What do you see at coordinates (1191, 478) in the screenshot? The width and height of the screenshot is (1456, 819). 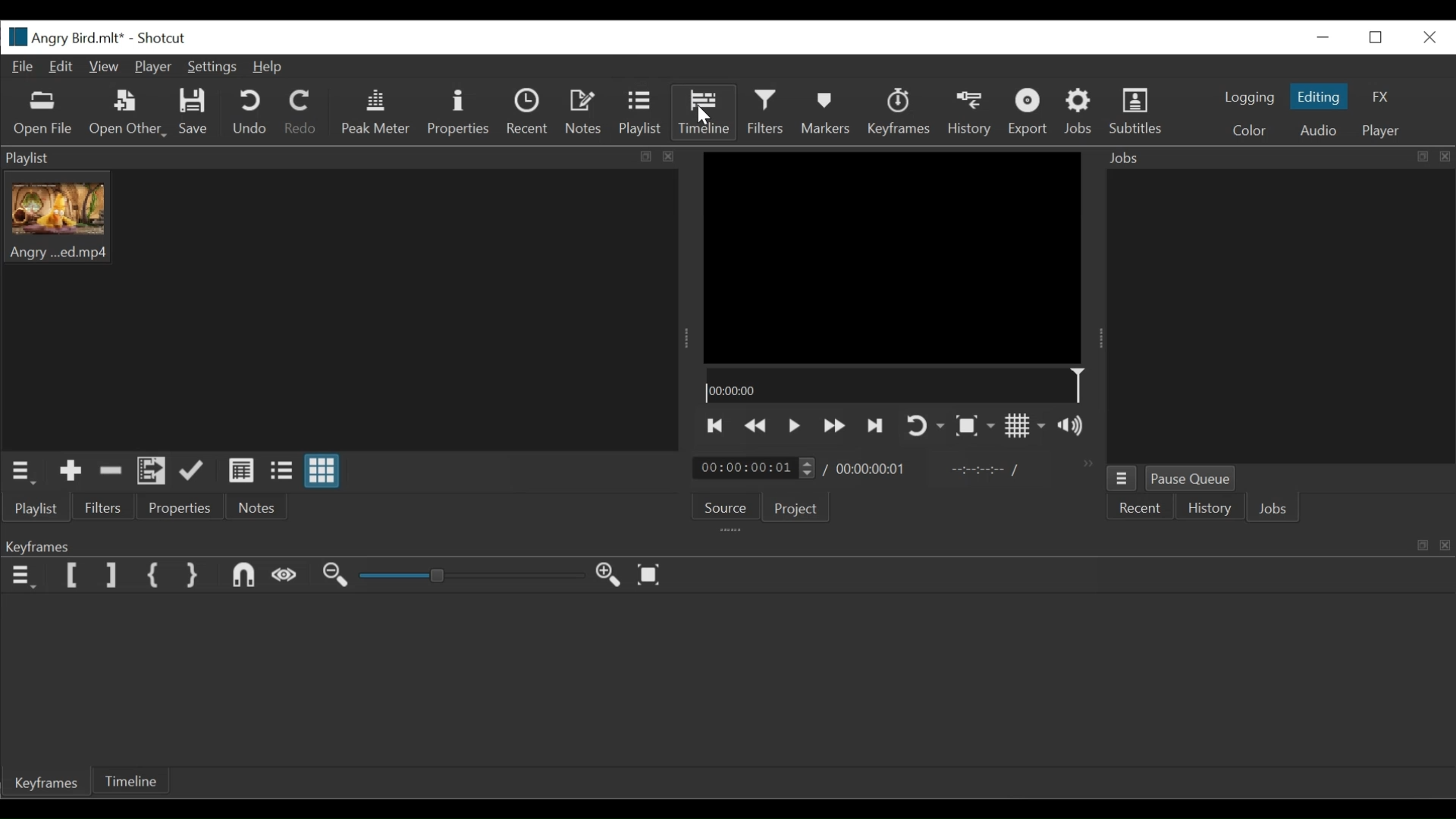 I see `Pause Queue` at bounding box center [1191, 478].